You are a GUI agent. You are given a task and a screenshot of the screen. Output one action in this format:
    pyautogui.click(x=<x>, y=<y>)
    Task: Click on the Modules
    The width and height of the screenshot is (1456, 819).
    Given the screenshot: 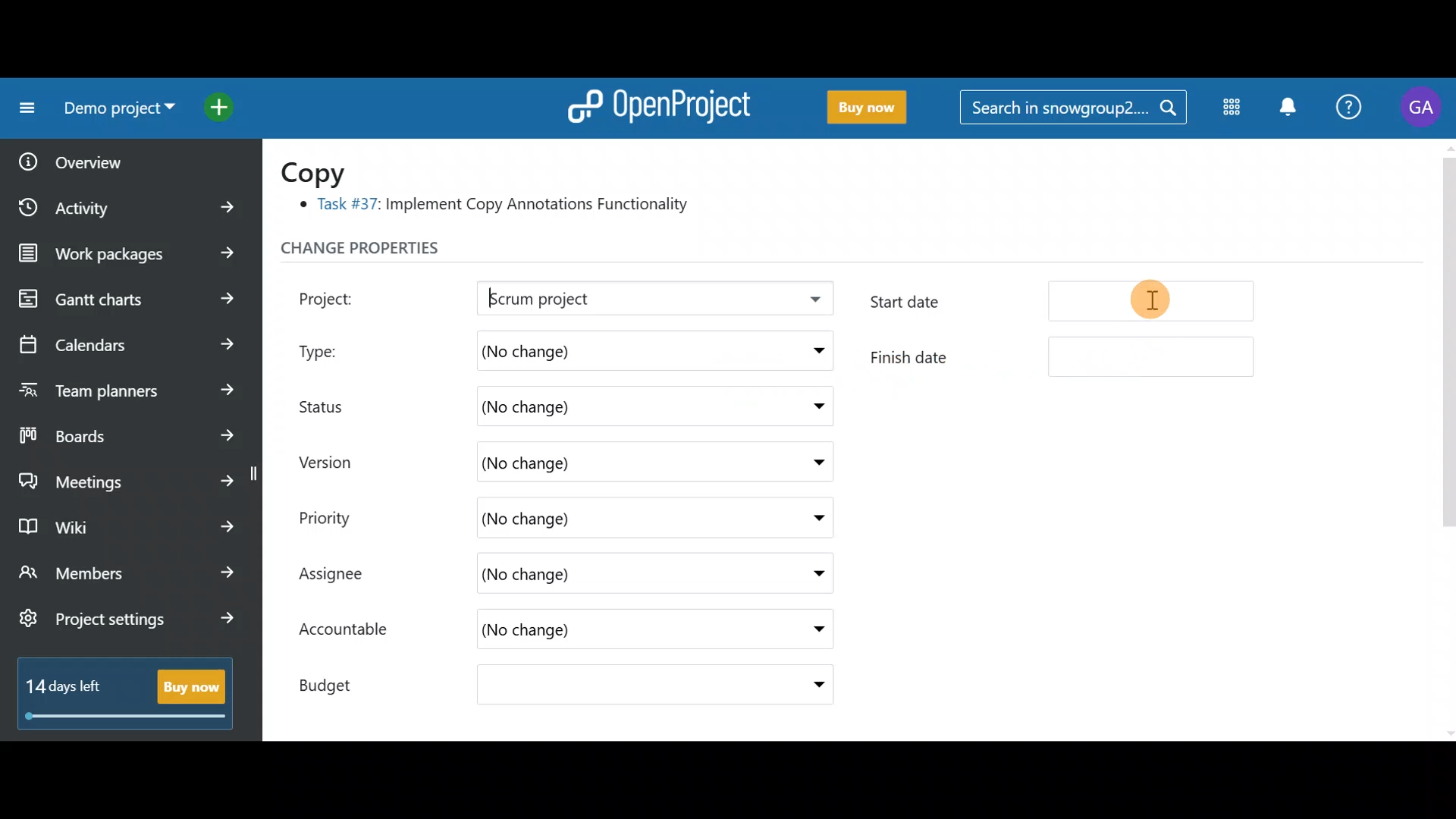 What is the action you would take?
    pyautogui.click(x=1227, y=110)
    